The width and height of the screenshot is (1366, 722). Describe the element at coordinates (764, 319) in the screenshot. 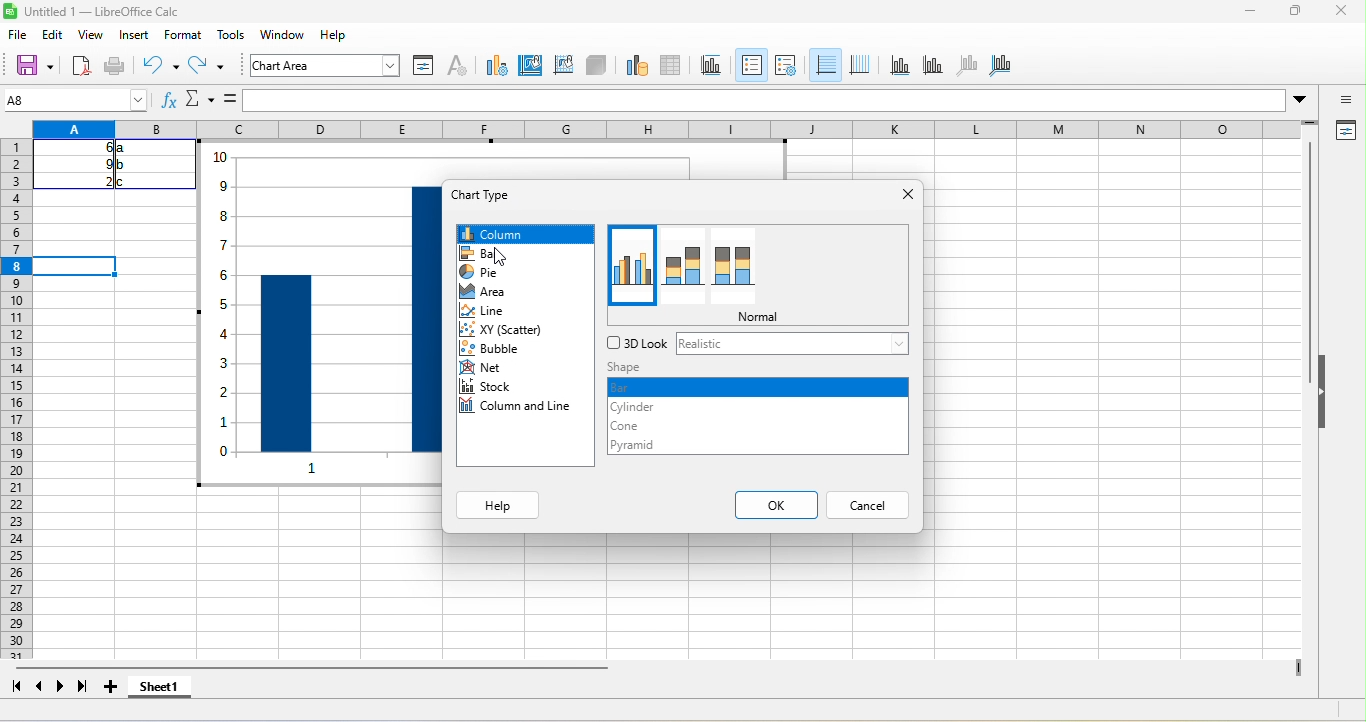

I see `normal` at that location.